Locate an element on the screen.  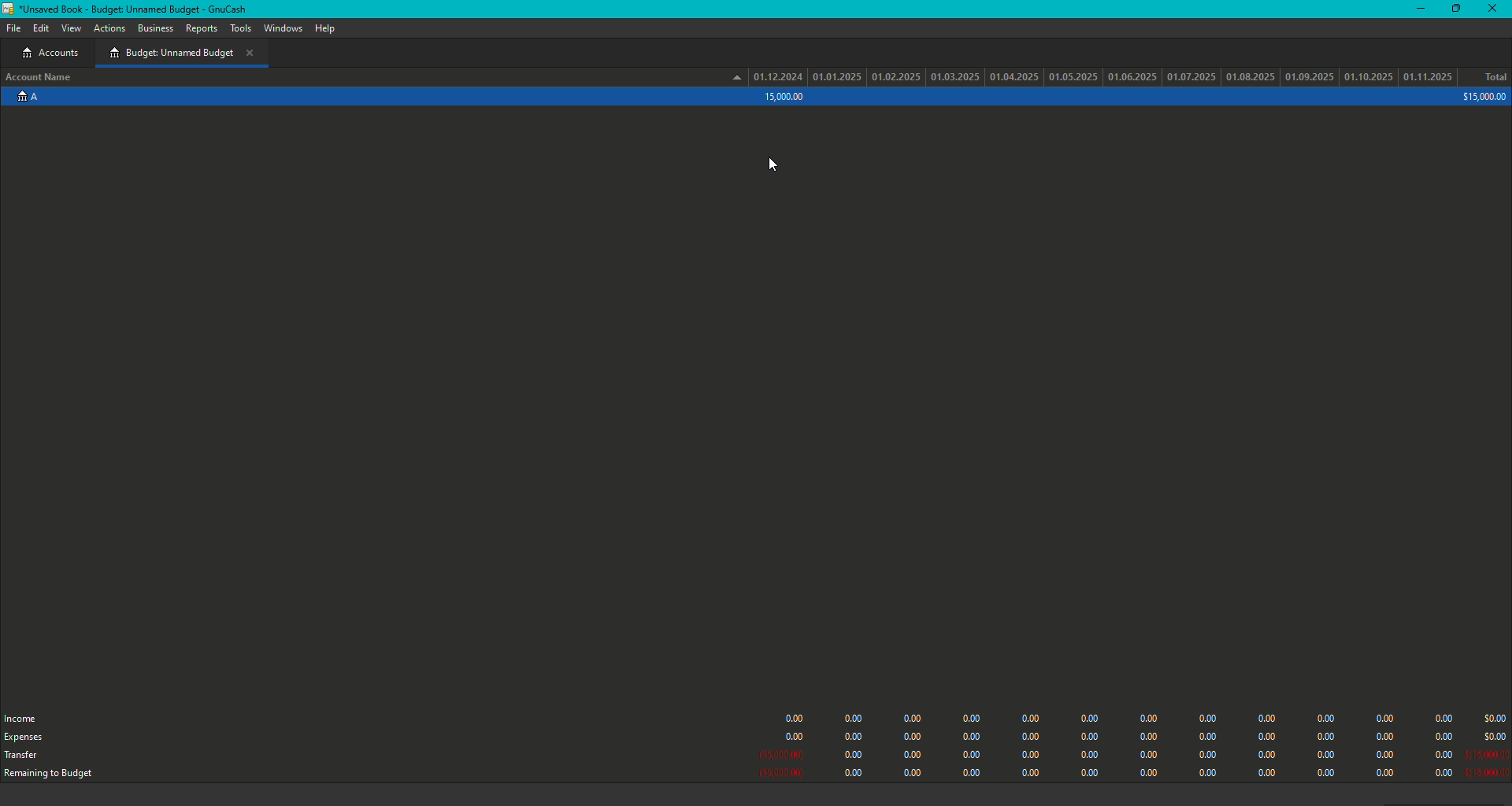
Account name is located at coordinates (41, 79).